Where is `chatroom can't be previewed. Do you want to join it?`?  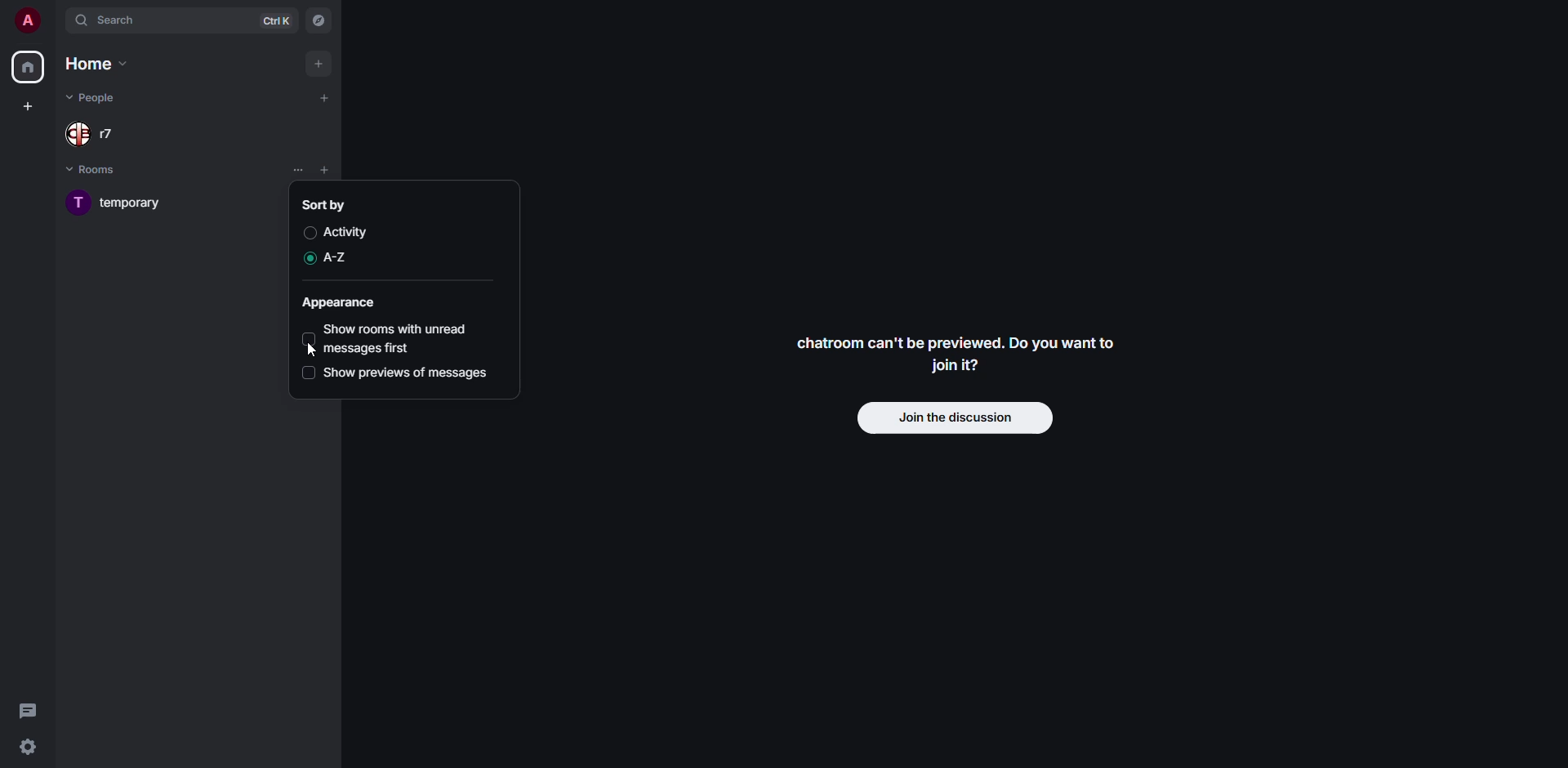 chatroom can't be previewed. Do you want to join it? is located at coordinates (958, 353).